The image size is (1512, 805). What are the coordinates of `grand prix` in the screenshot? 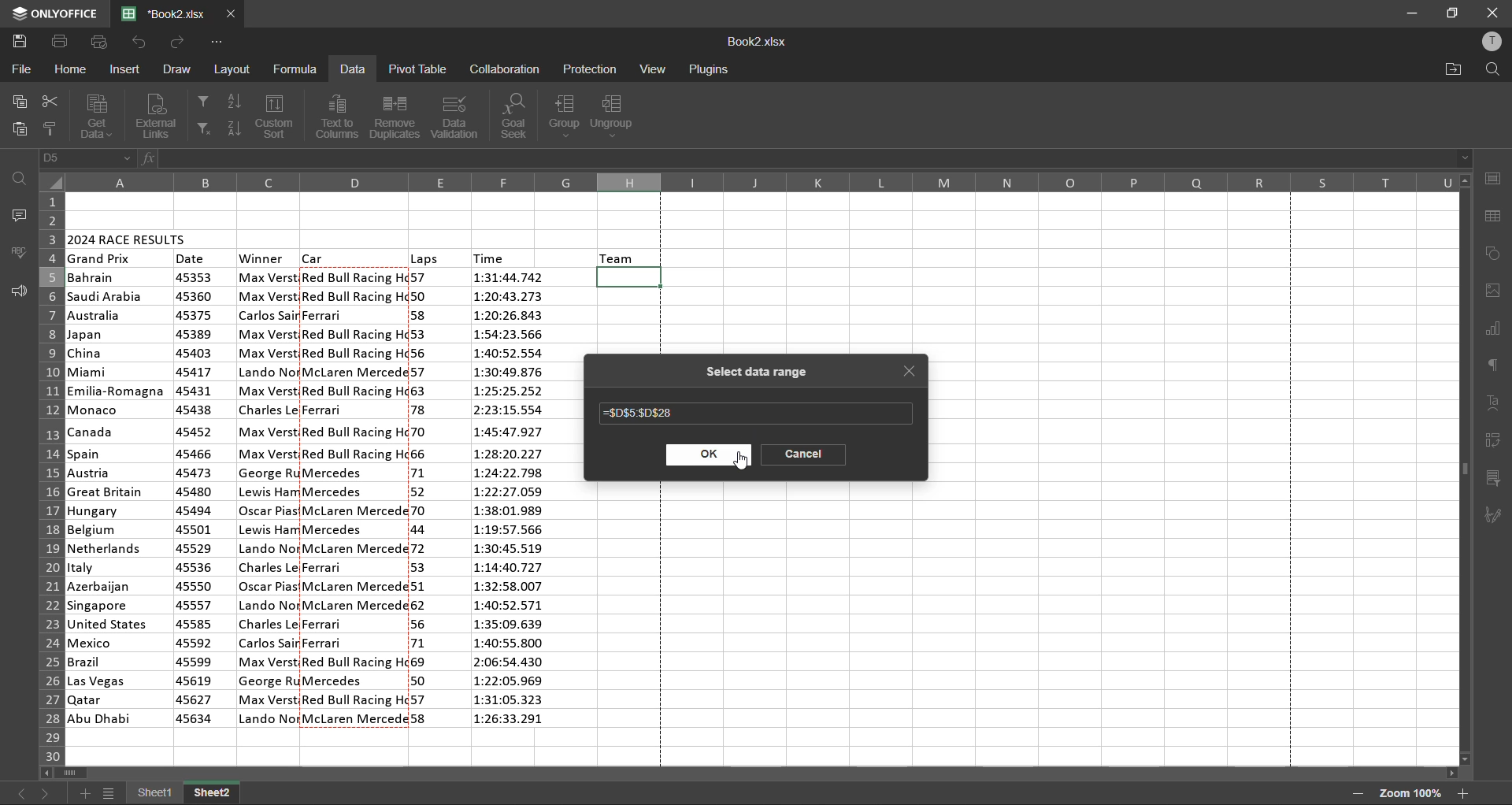 It's located at (101, 259).